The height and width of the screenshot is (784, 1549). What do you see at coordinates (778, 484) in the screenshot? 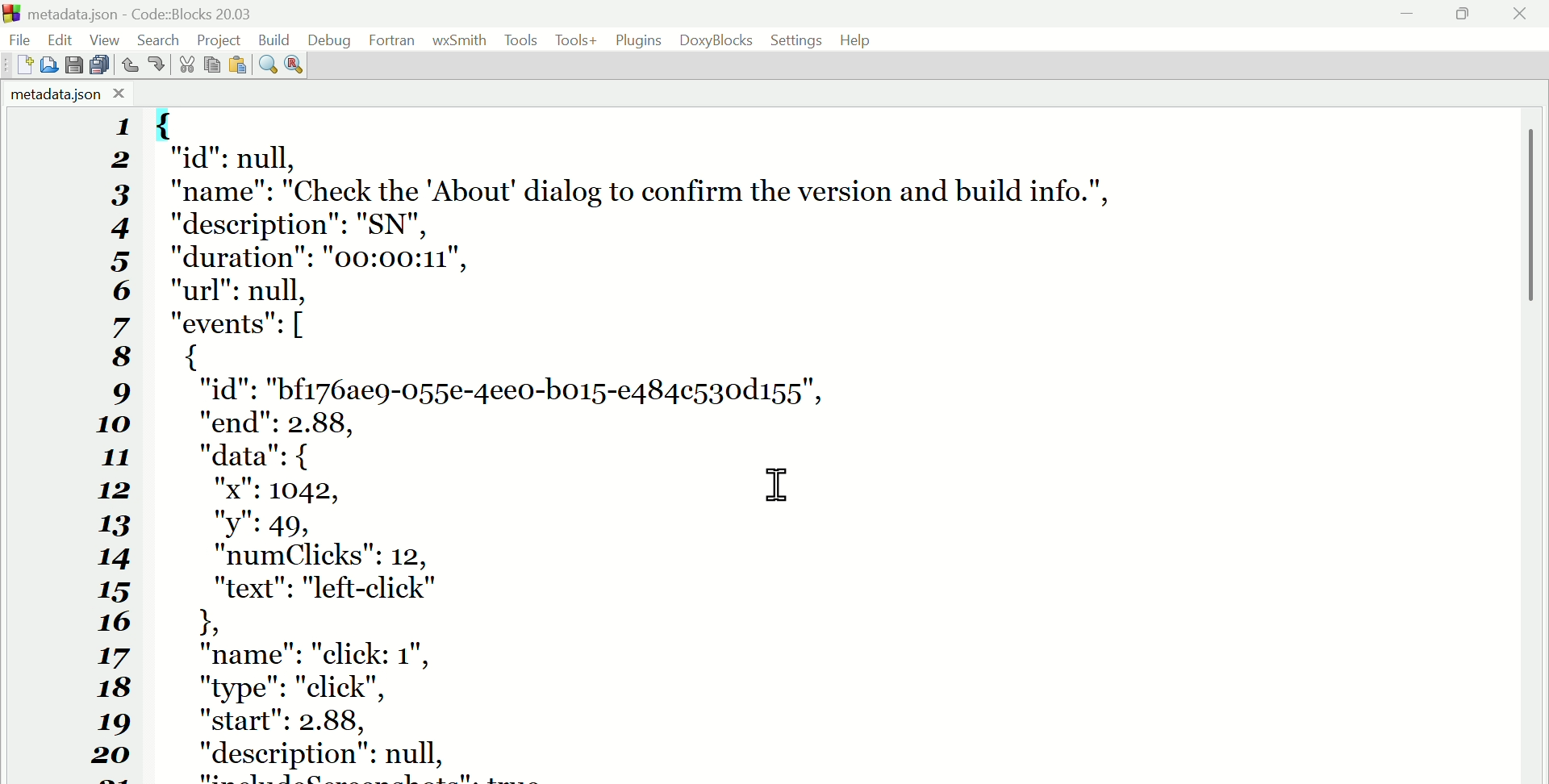
I see `cursor` at bounding box center [778, 484].